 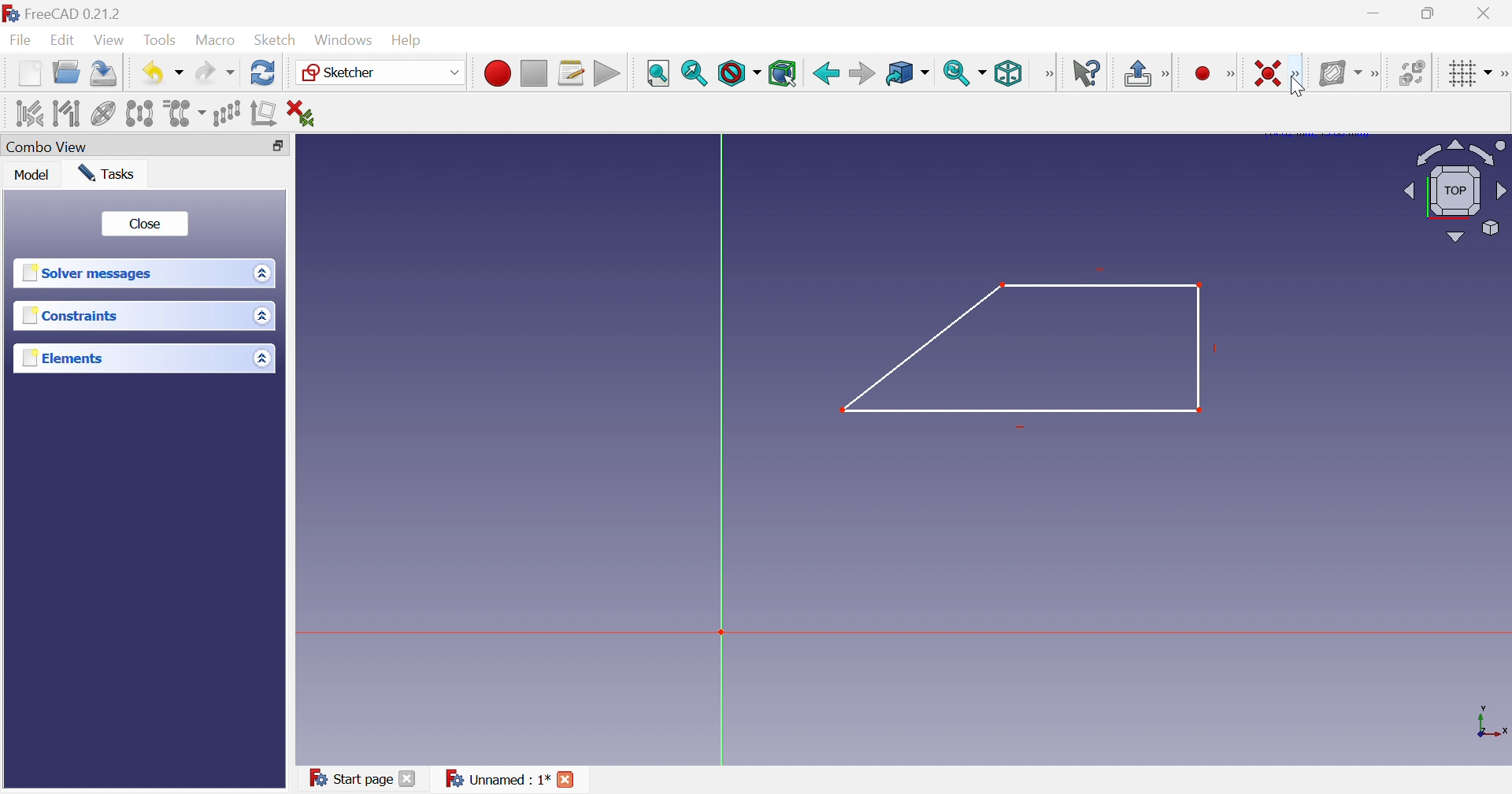 What do you see at coordinates (1487, 13) in the screenshot?
I see `Close` at bounding box center [1487, 13].